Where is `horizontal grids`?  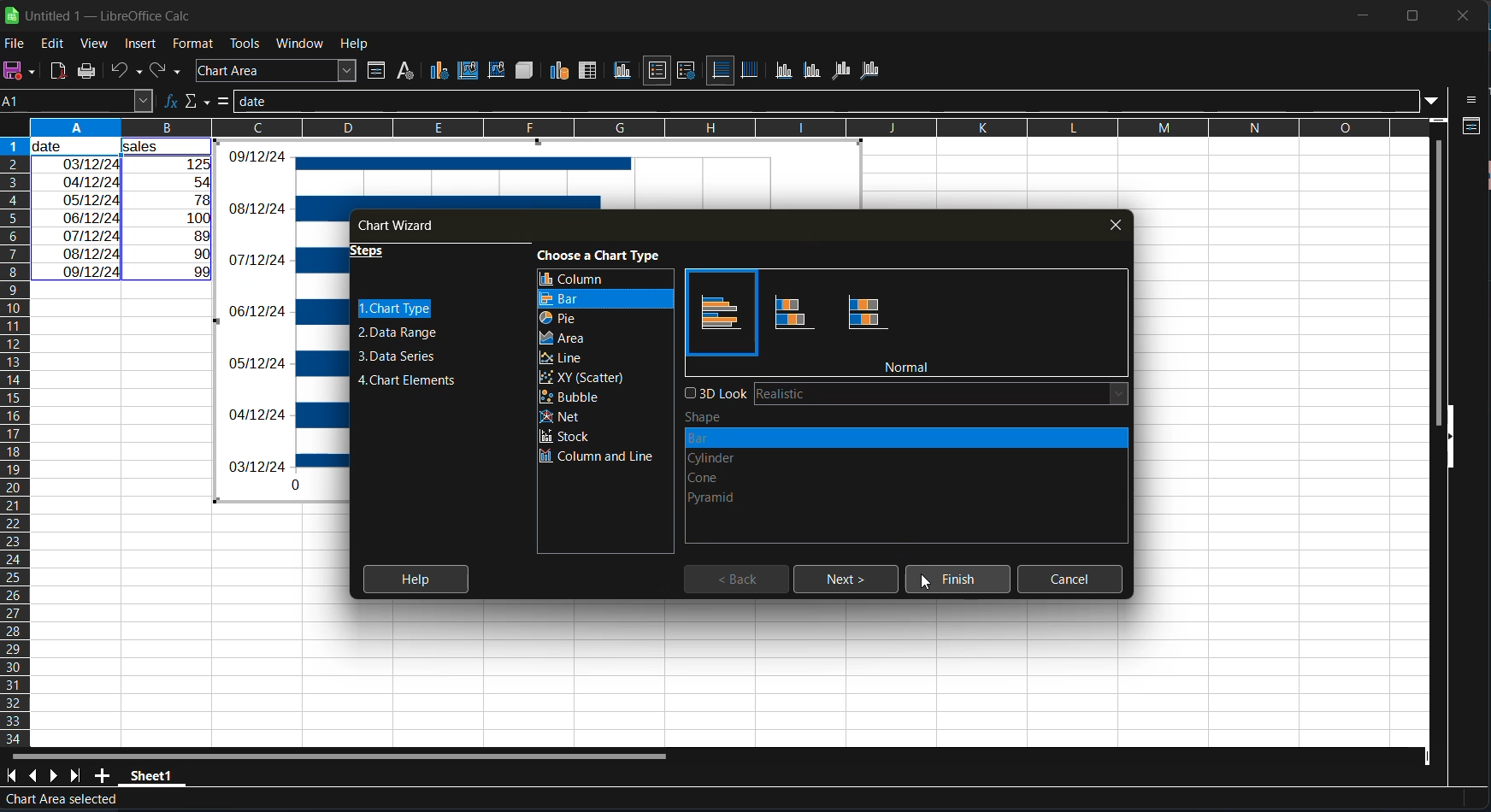 horizontal grids is located at coordinates (721, 70).